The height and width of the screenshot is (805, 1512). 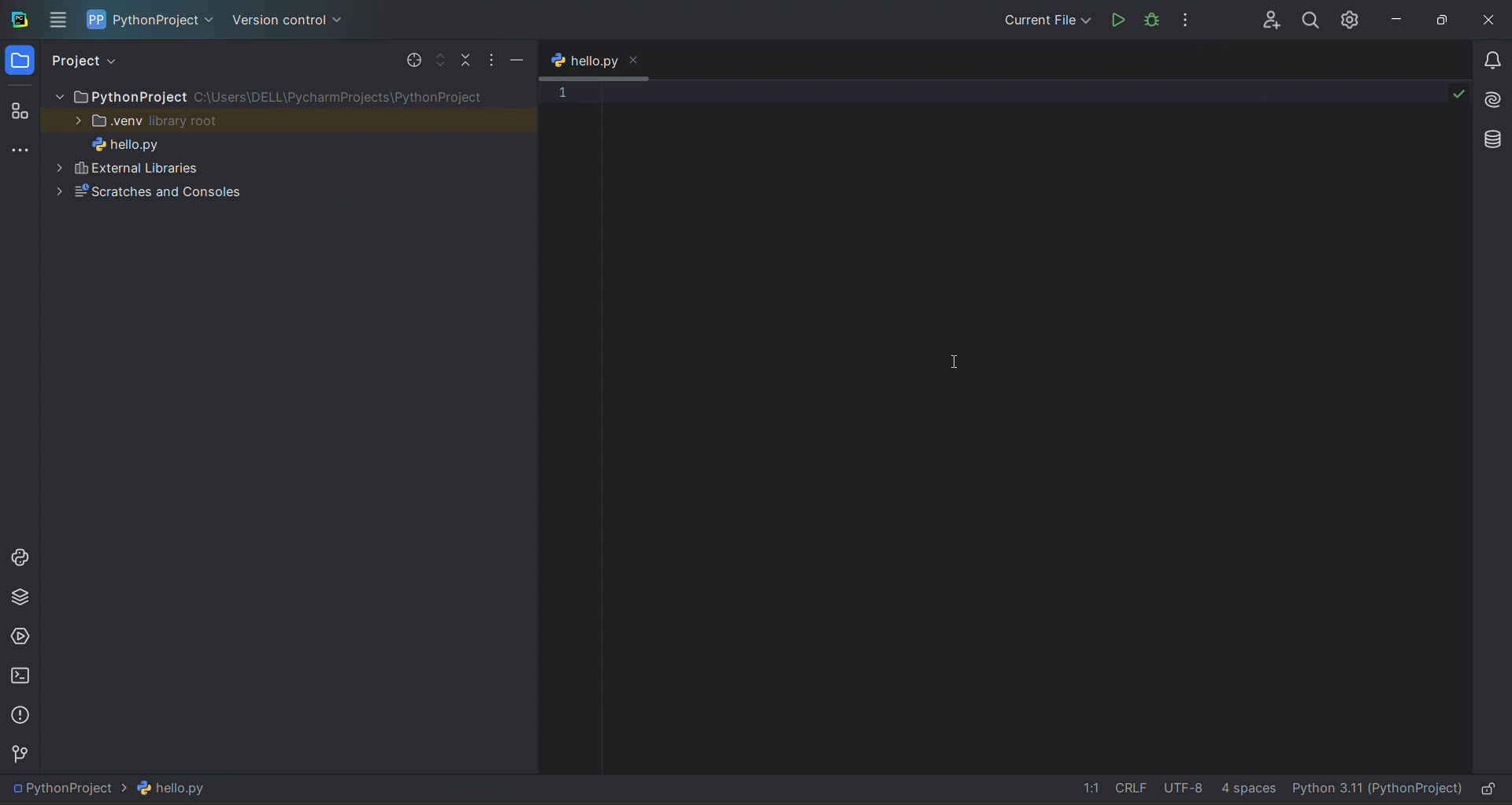 I want to click on options, so click(x=495, y=61).